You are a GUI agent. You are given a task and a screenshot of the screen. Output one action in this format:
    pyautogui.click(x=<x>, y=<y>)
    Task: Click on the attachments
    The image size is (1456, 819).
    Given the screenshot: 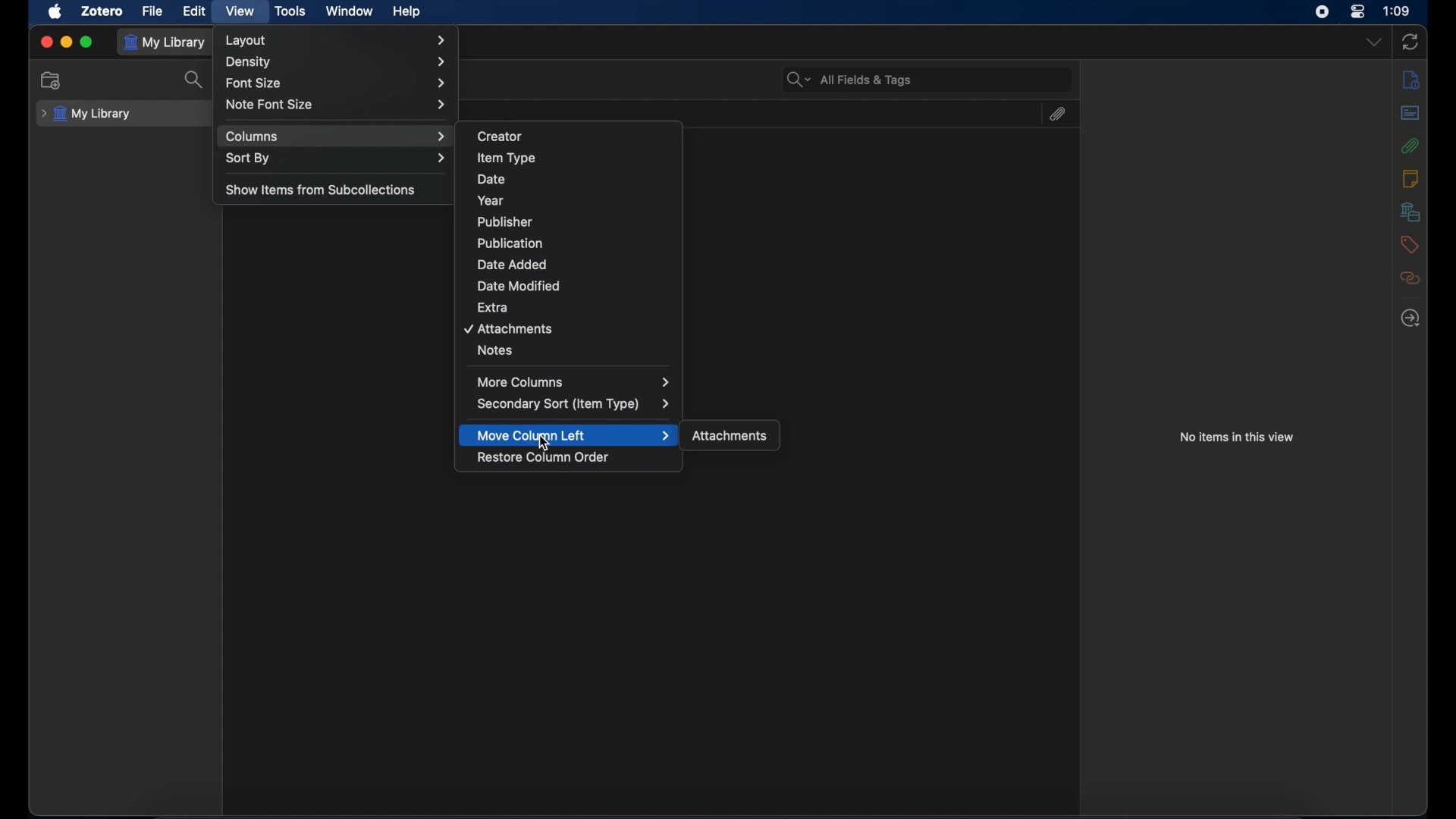 What is the action you would take?
    pyautogui.click(x=1409, y=146)
    